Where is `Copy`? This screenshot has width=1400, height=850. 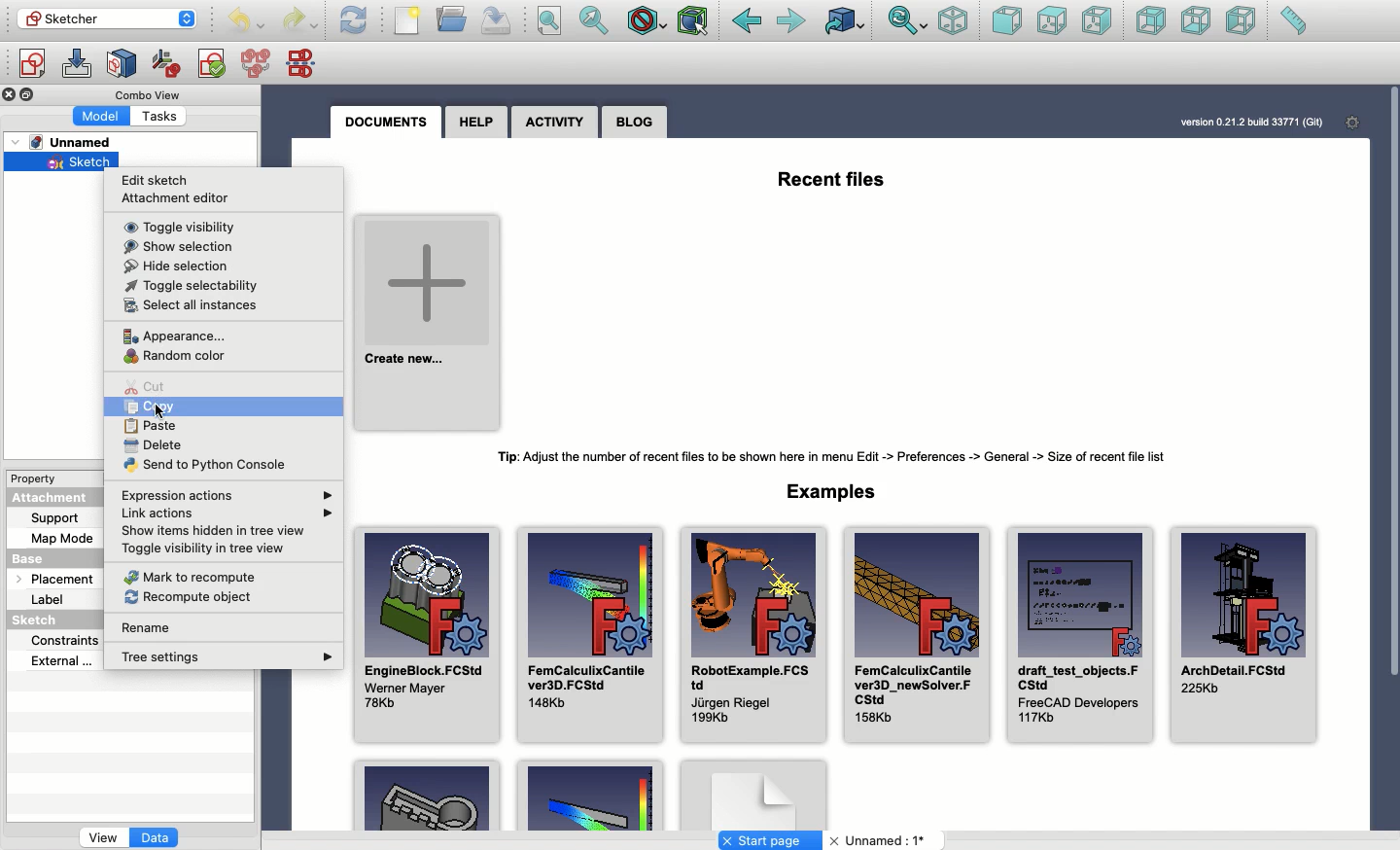
Copy is located at coordinates (167, 407).